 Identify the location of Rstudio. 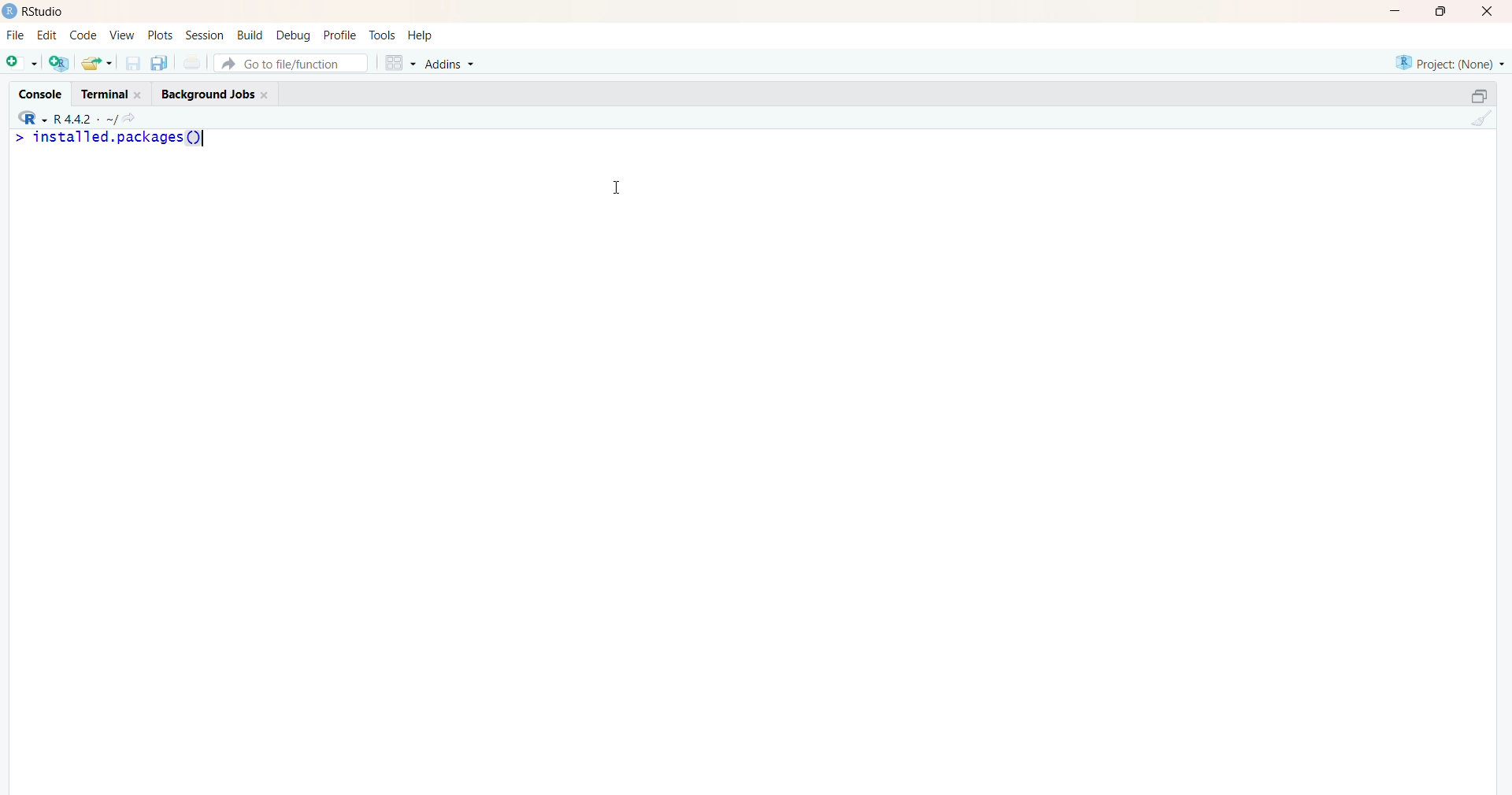
(35, 10).